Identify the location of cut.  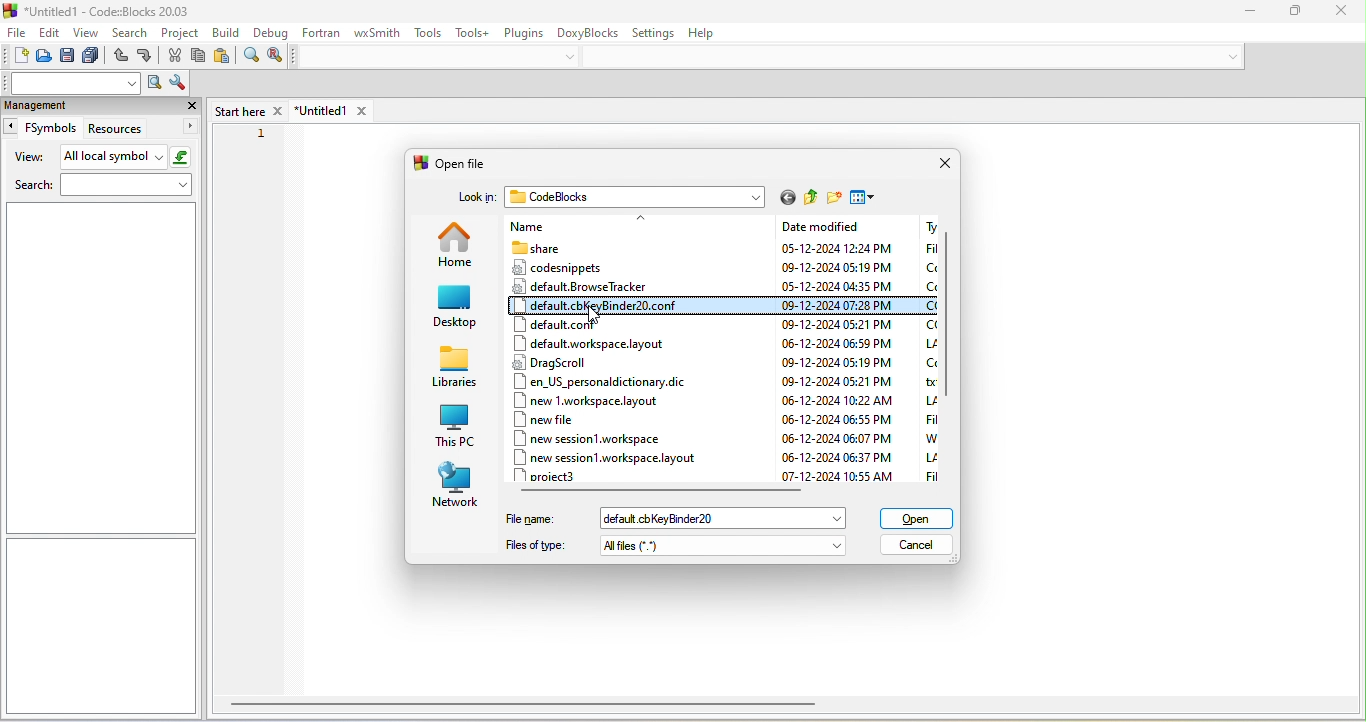
(175, 55).